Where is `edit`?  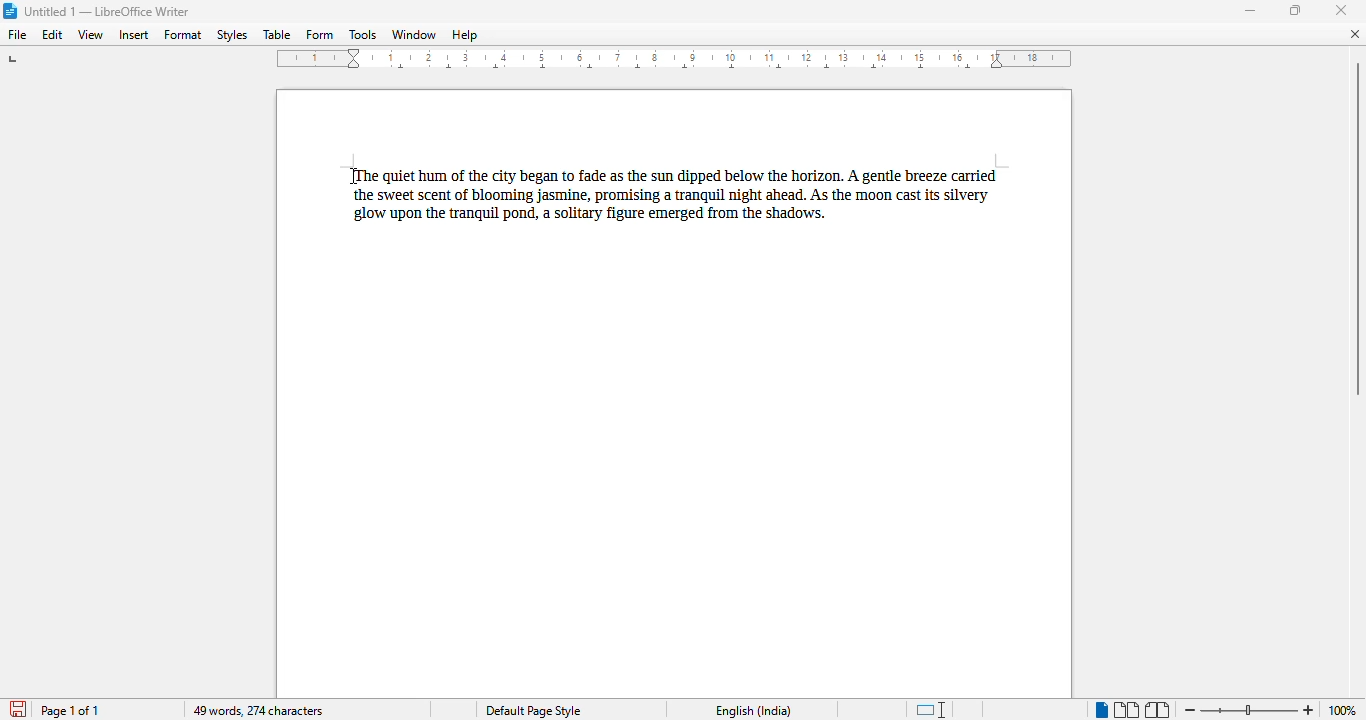
edit is located at coordinates (52, 34).